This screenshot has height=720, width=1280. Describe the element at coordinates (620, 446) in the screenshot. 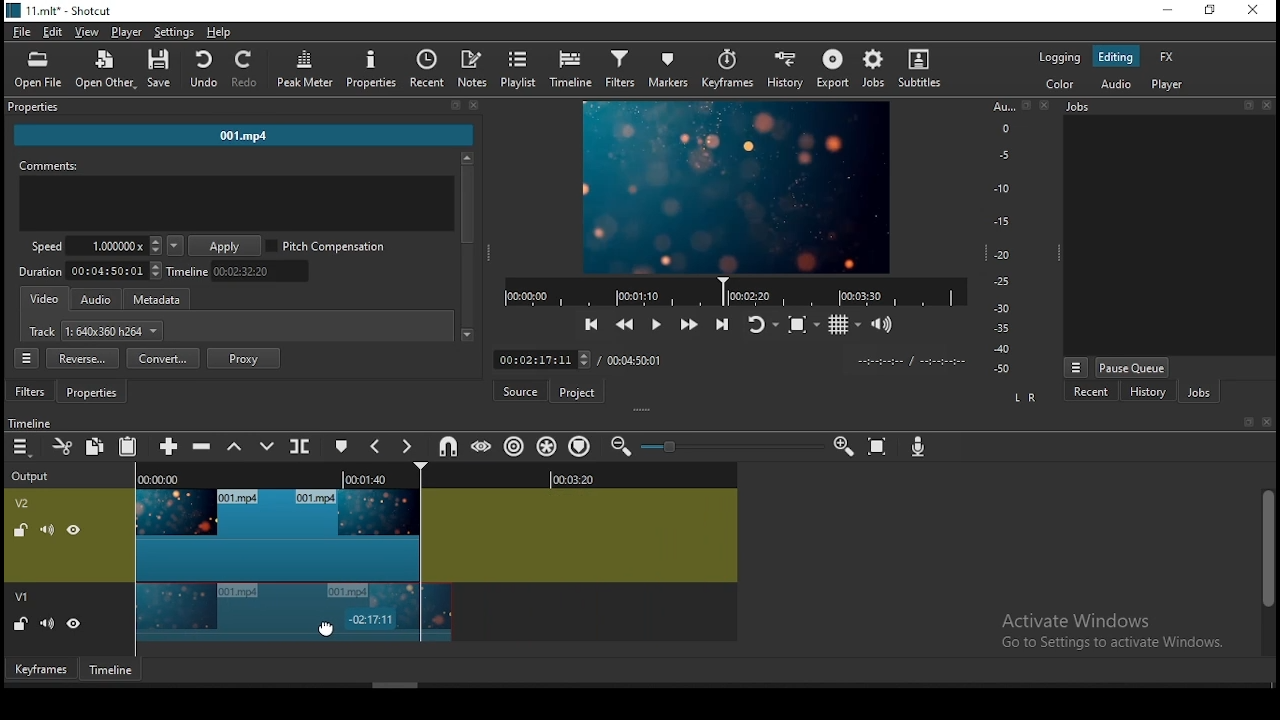

I see `zoom timeline out` at that location.